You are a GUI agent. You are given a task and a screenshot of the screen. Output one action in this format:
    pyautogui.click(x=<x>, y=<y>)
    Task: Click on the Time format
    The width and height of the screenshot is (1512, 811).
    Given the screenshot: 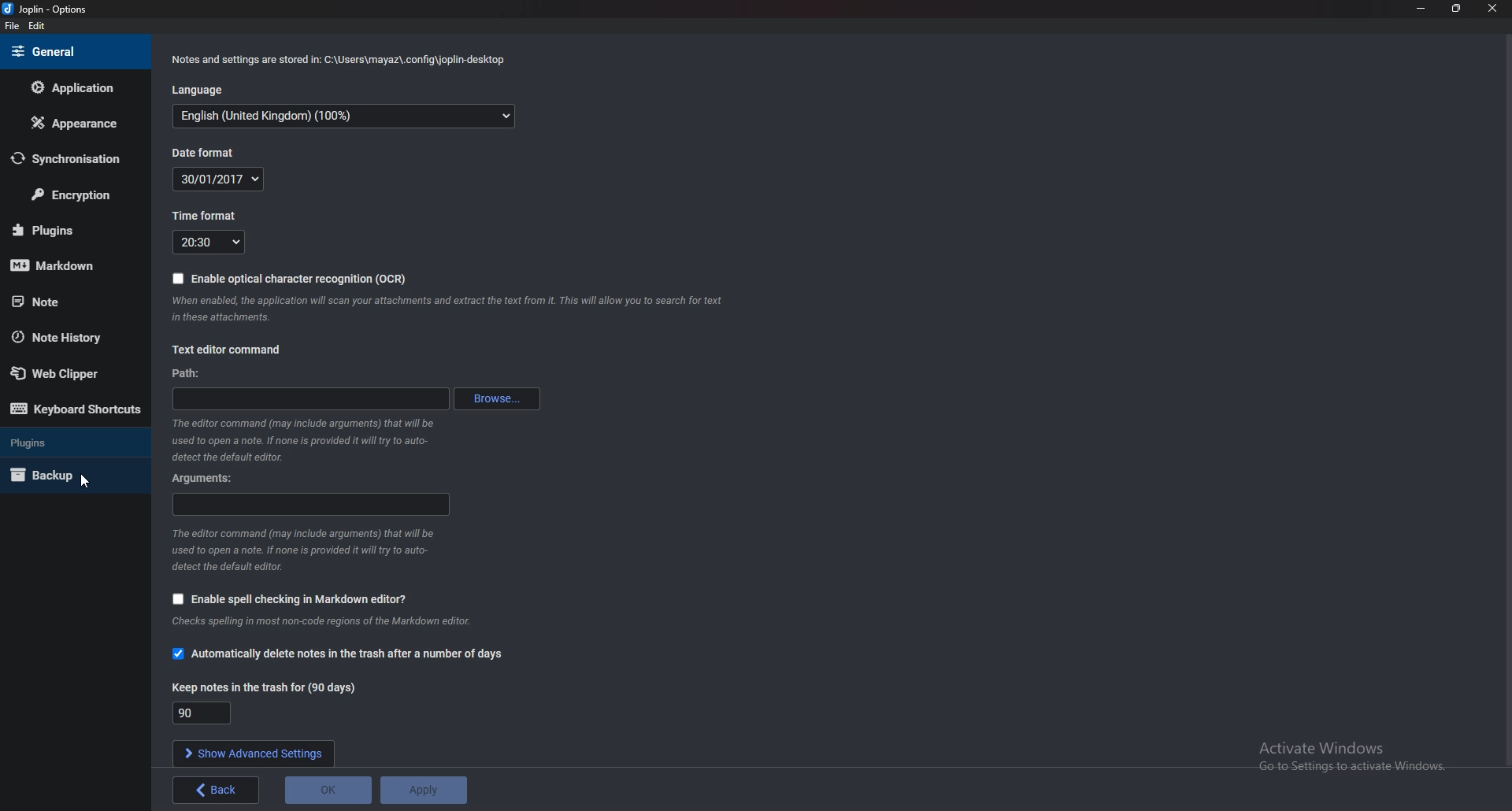 What is the action you would take?
    pyautogui.click(x=209, y=244)
    